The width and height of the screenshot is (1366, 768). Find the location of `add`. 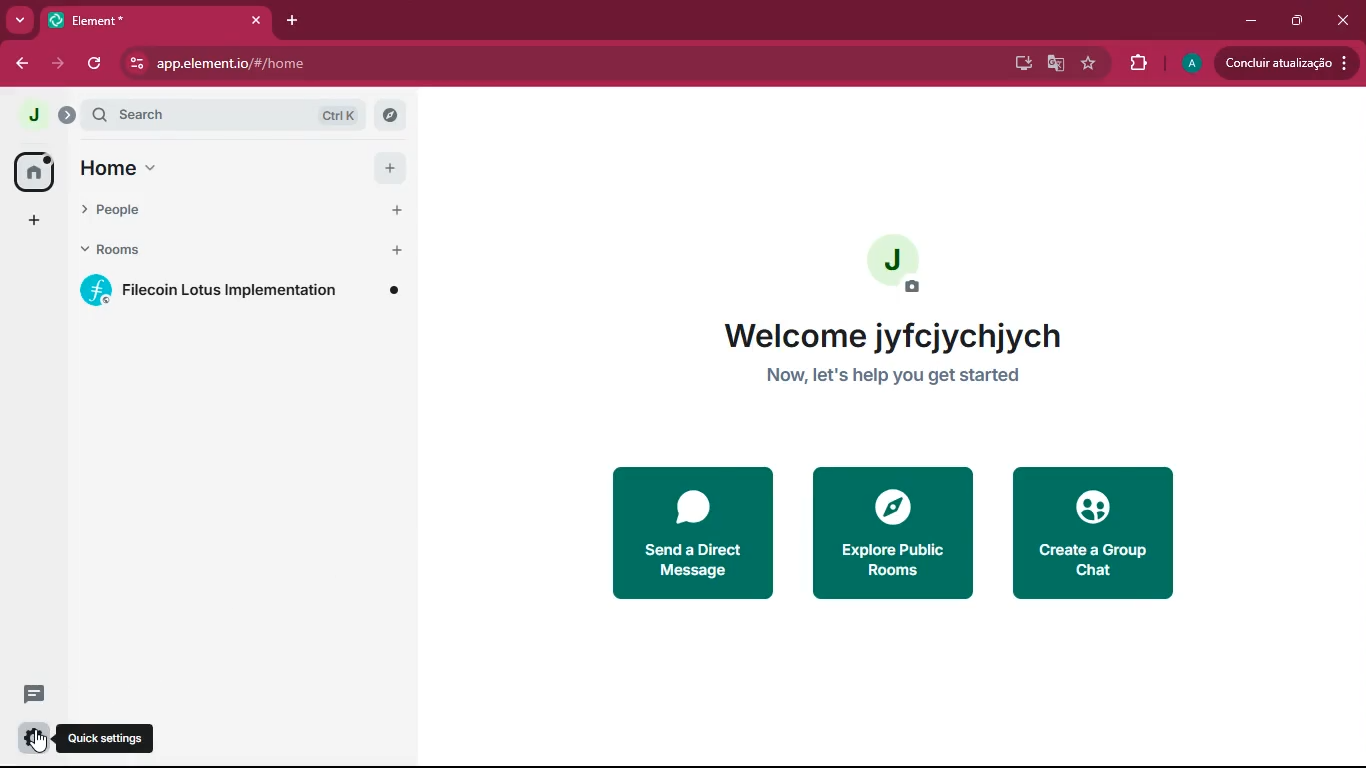

add is located at coordinates (386, 169).